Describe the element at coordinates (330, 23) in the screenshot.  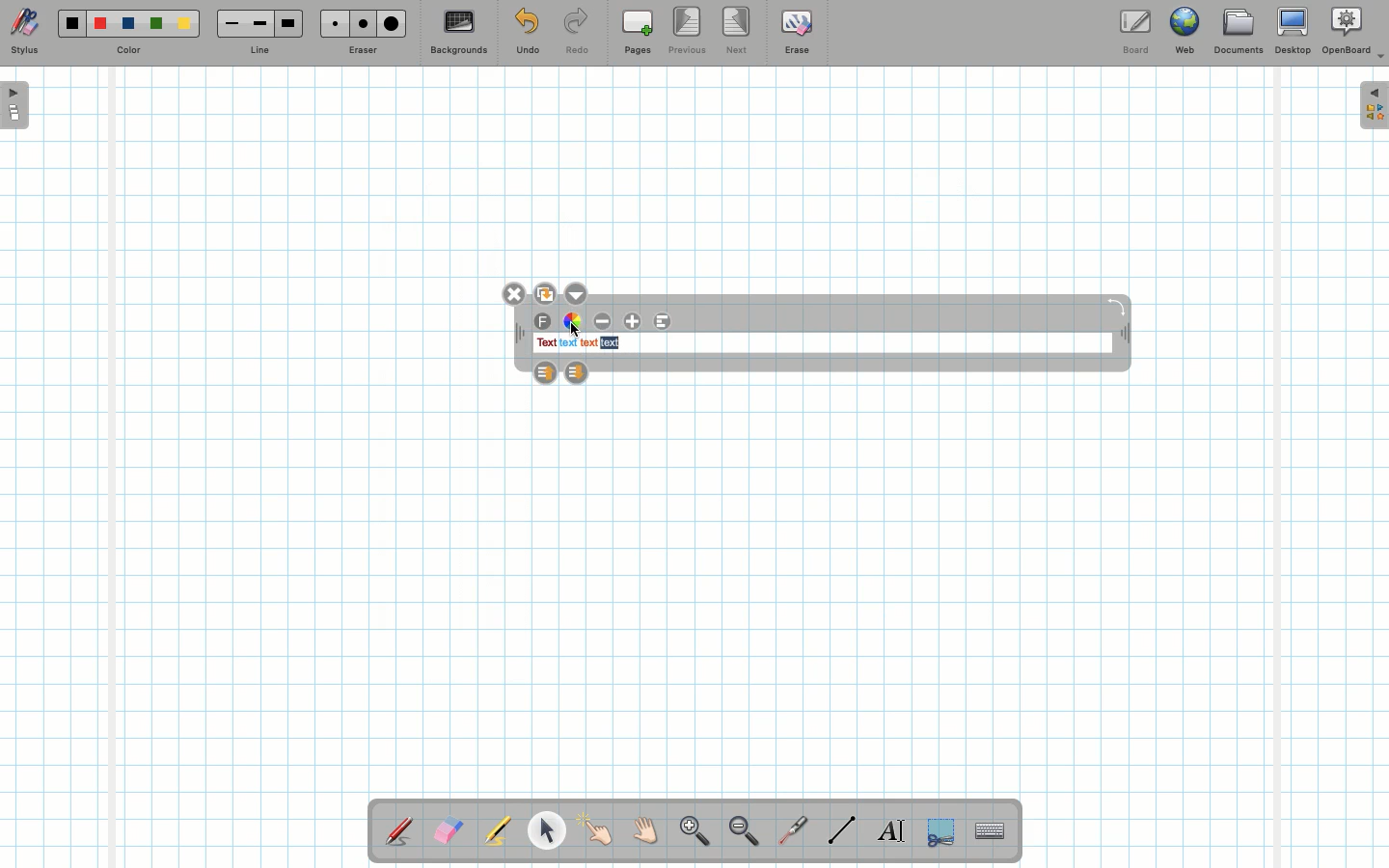
I see `Small eraser` at that location.